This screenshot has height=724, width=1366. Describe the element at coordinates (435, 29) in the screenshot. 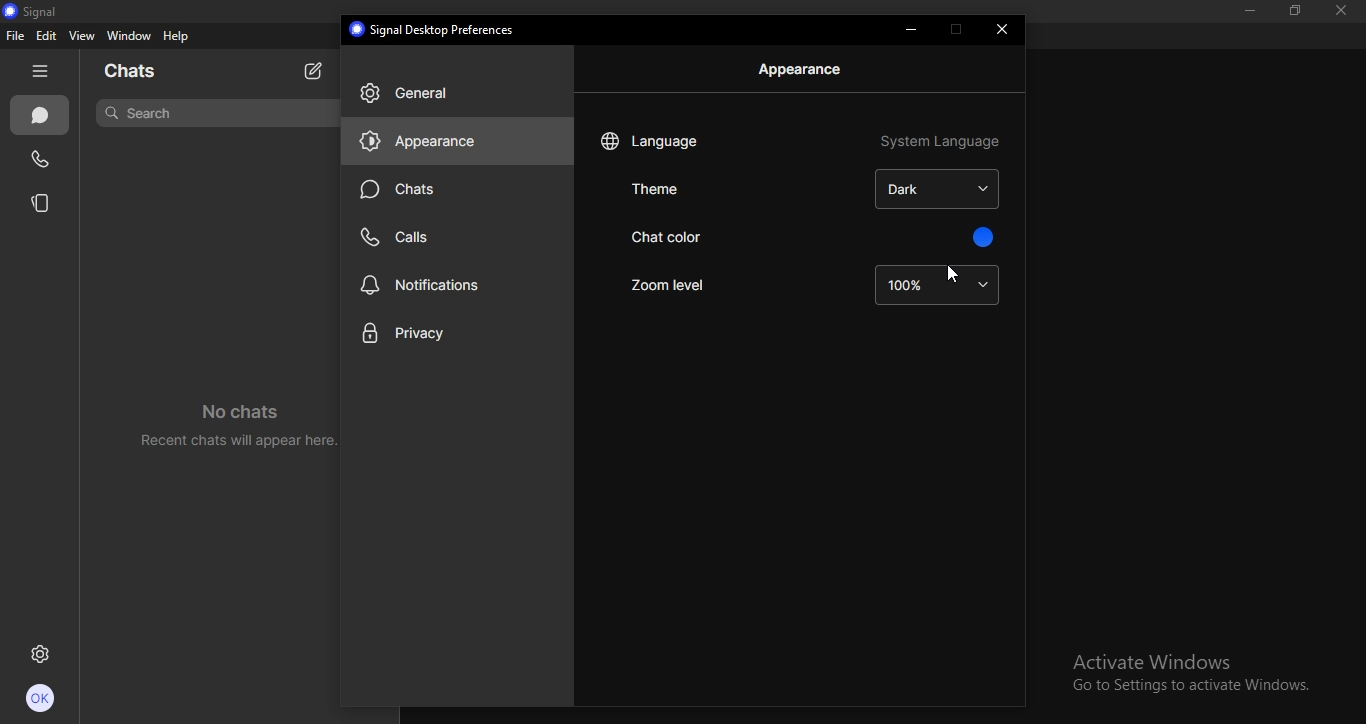

I see `® Signal Desktop Preferences` at that location.